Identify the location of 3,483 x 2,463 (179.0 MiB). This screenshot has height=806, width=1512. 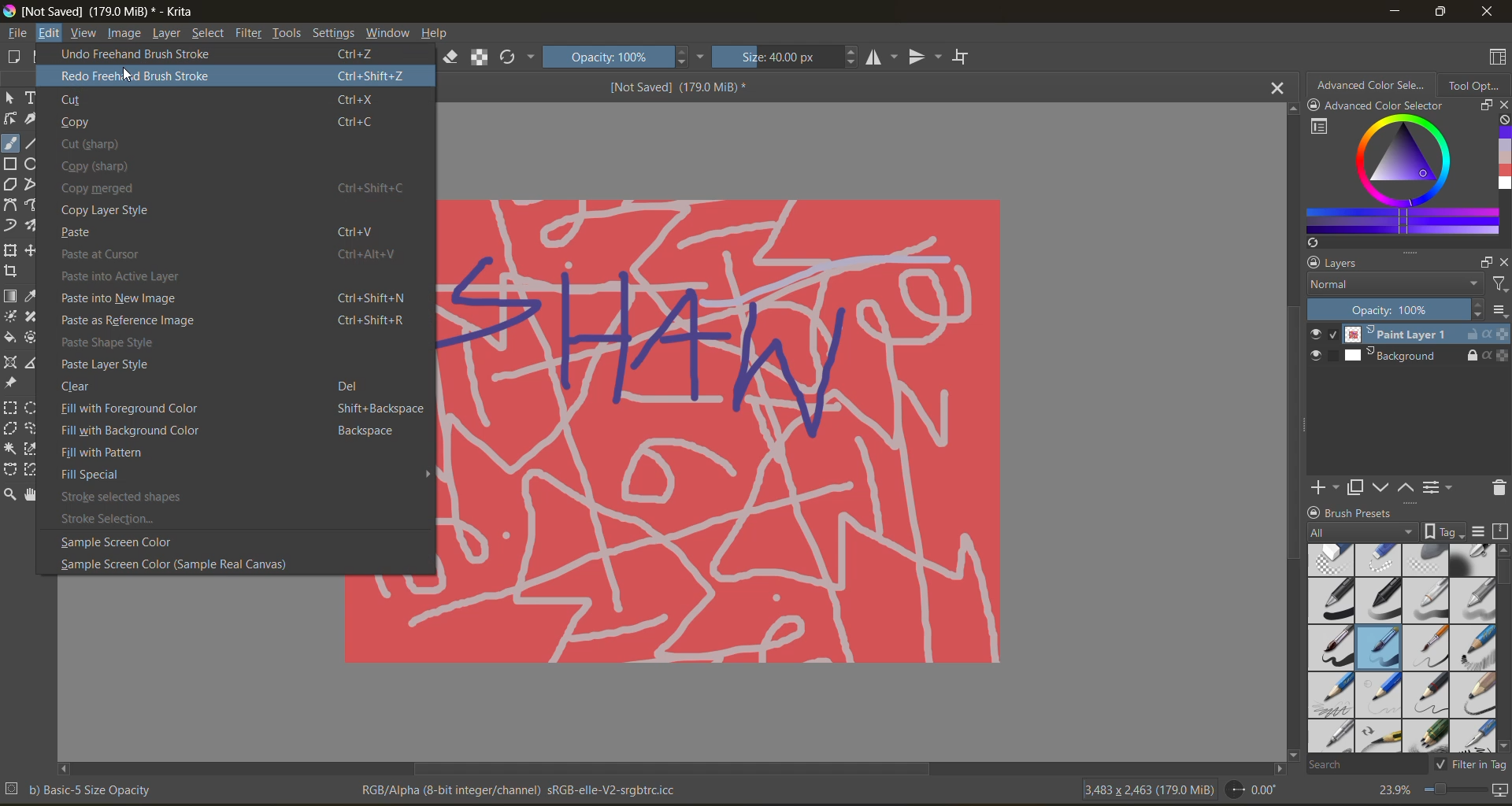
(1148, 789).